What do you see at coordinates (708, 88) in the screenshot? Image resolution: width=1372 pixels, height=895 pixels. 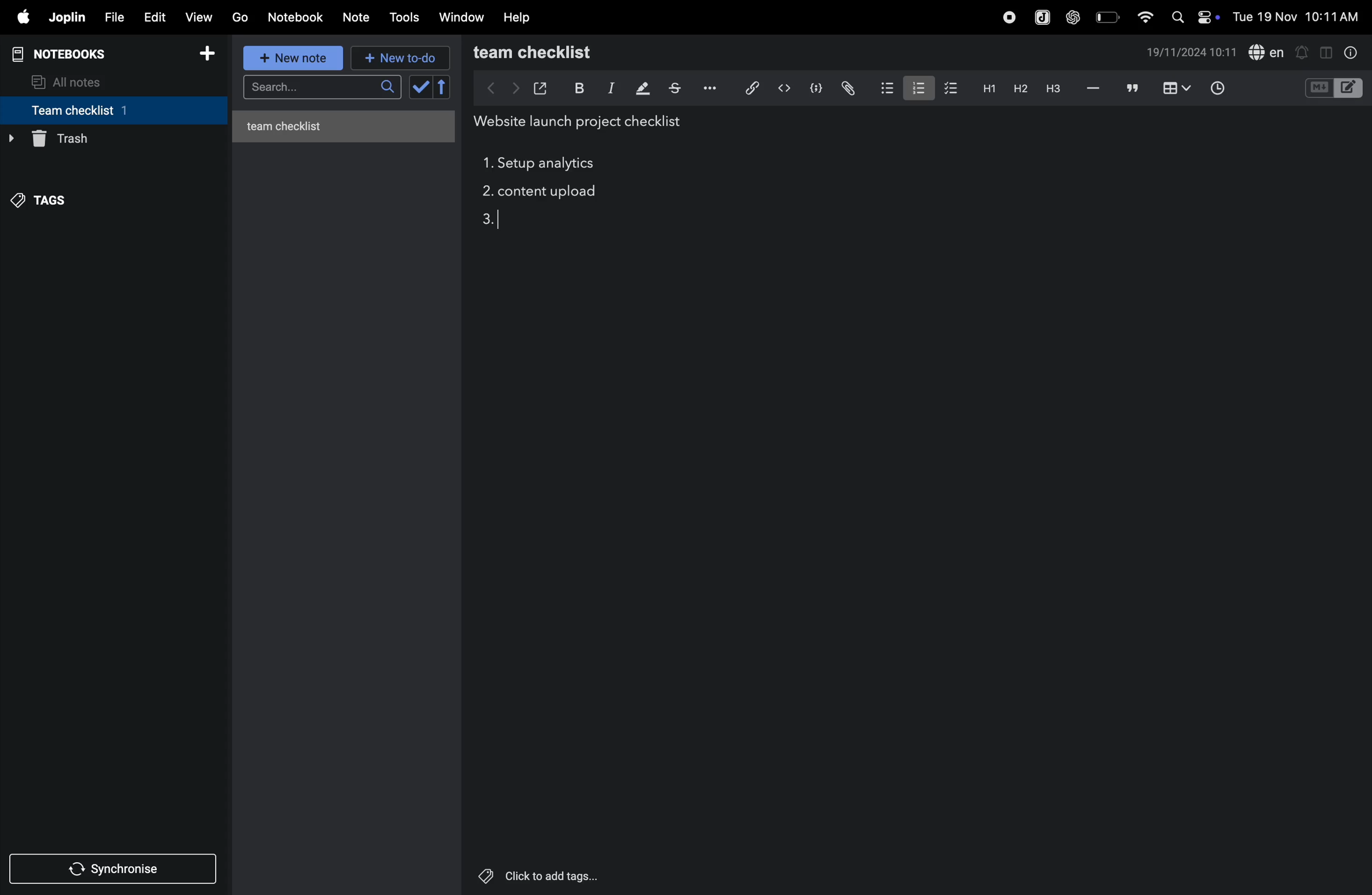 I see `options` at bounding box center [708, 88].